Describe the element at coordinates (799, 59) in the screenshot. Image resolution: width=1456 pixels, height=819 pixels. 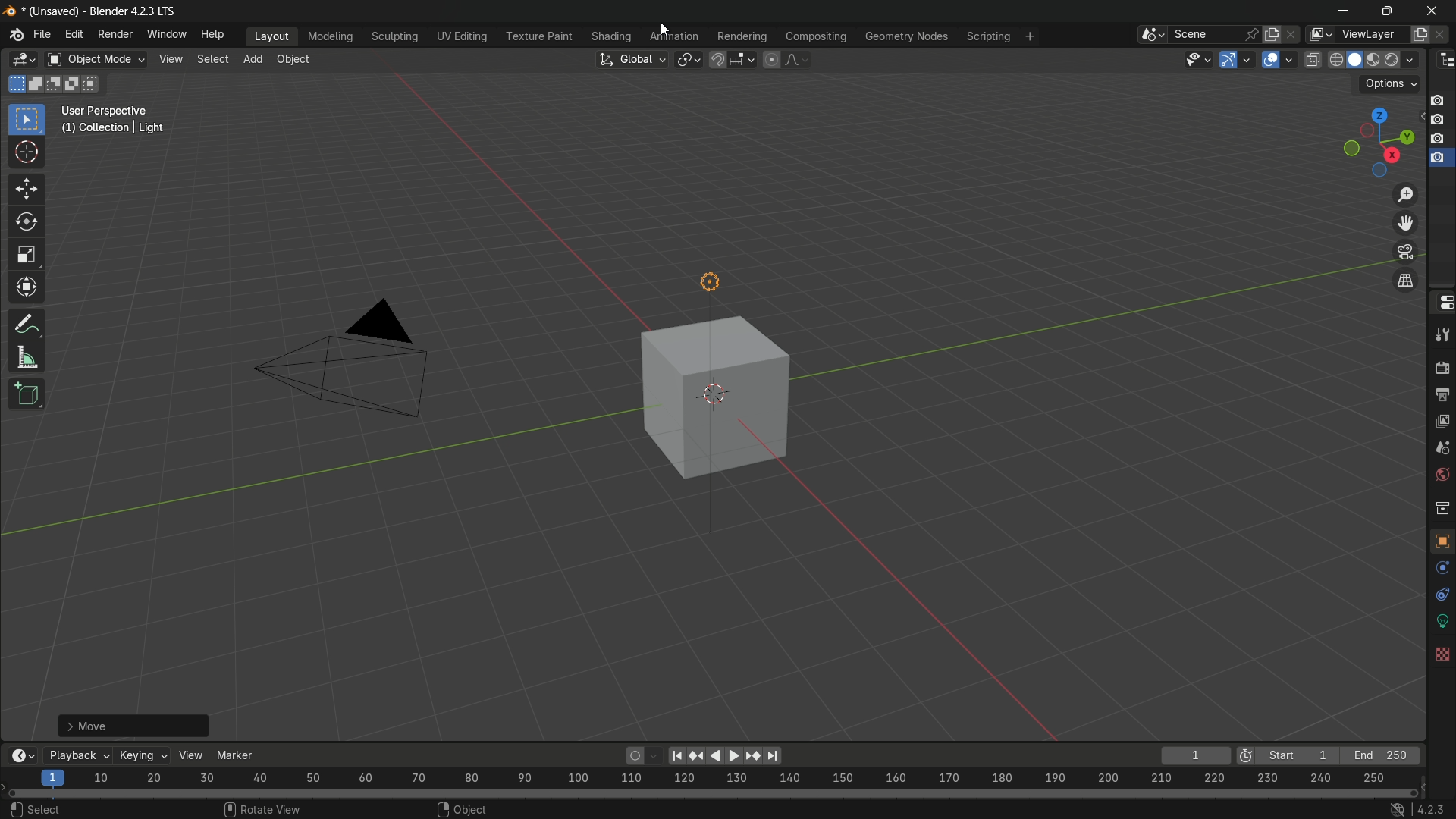
I see `proportional editing falloff` at that location.